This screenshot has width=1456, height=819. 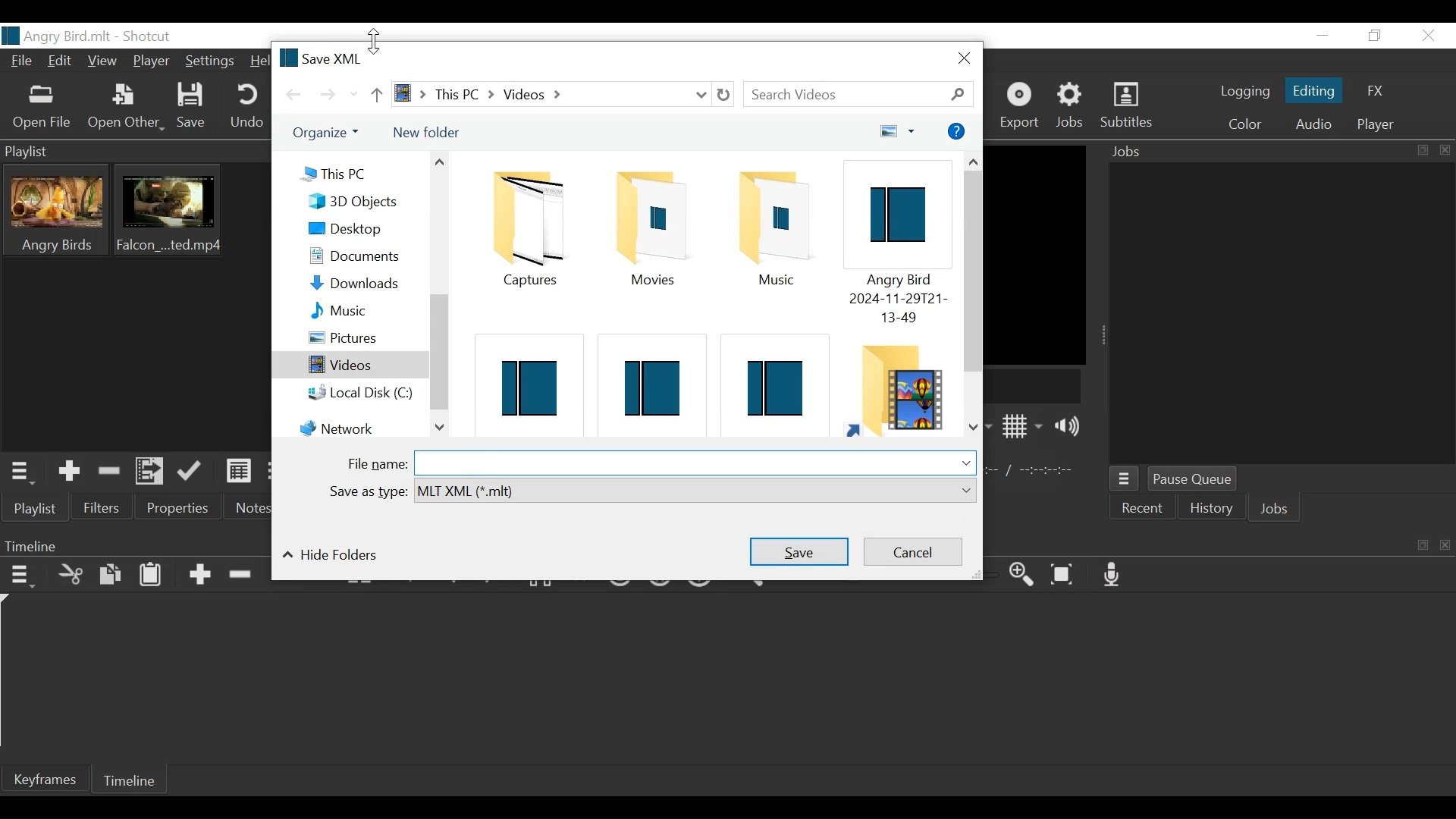 What do you see at coordinates (1241, 93) in the screenshot?
I see `logging` at bounding box center [1241, 93].